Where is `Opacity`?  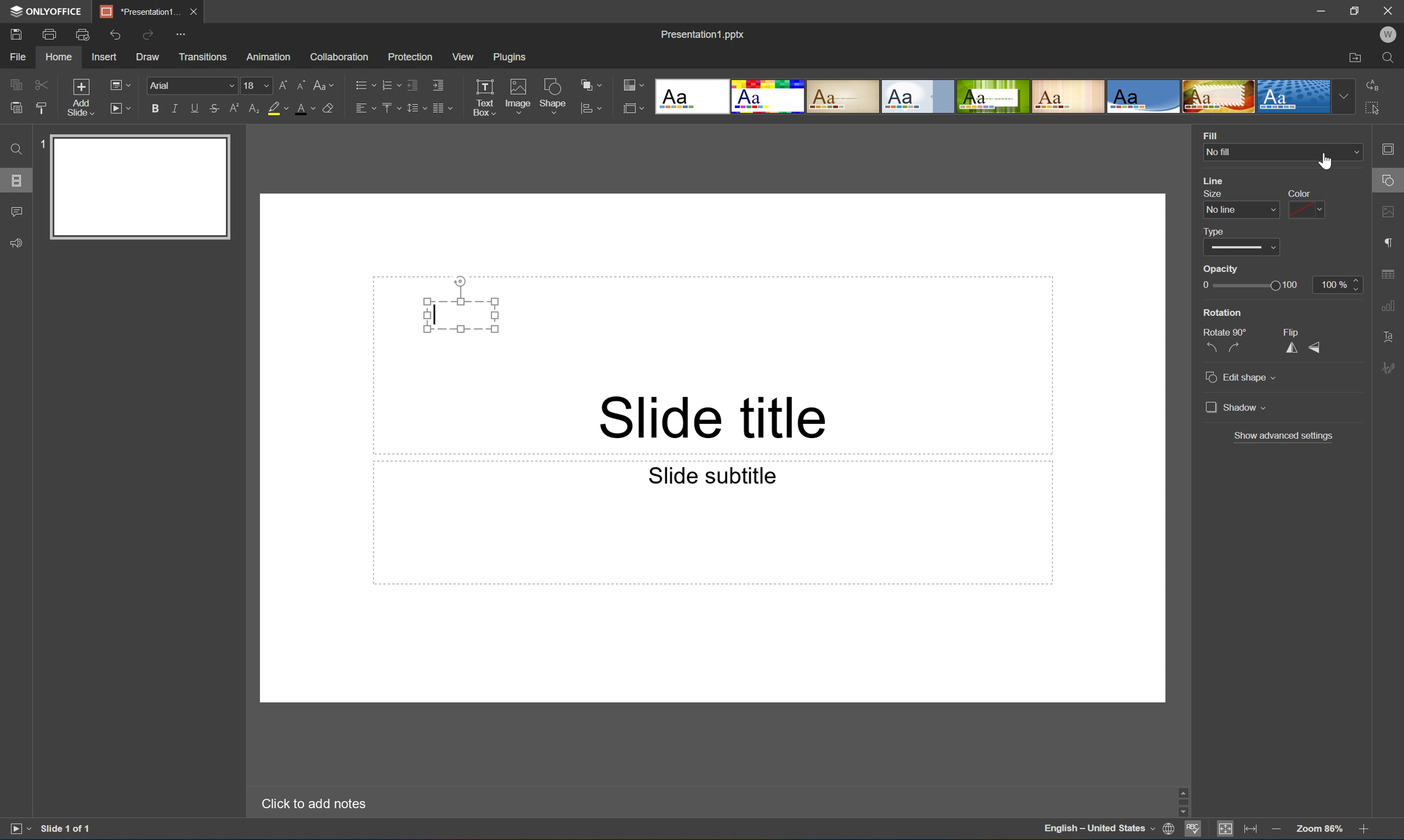 Opacity is located at coordinates (1222, 270).